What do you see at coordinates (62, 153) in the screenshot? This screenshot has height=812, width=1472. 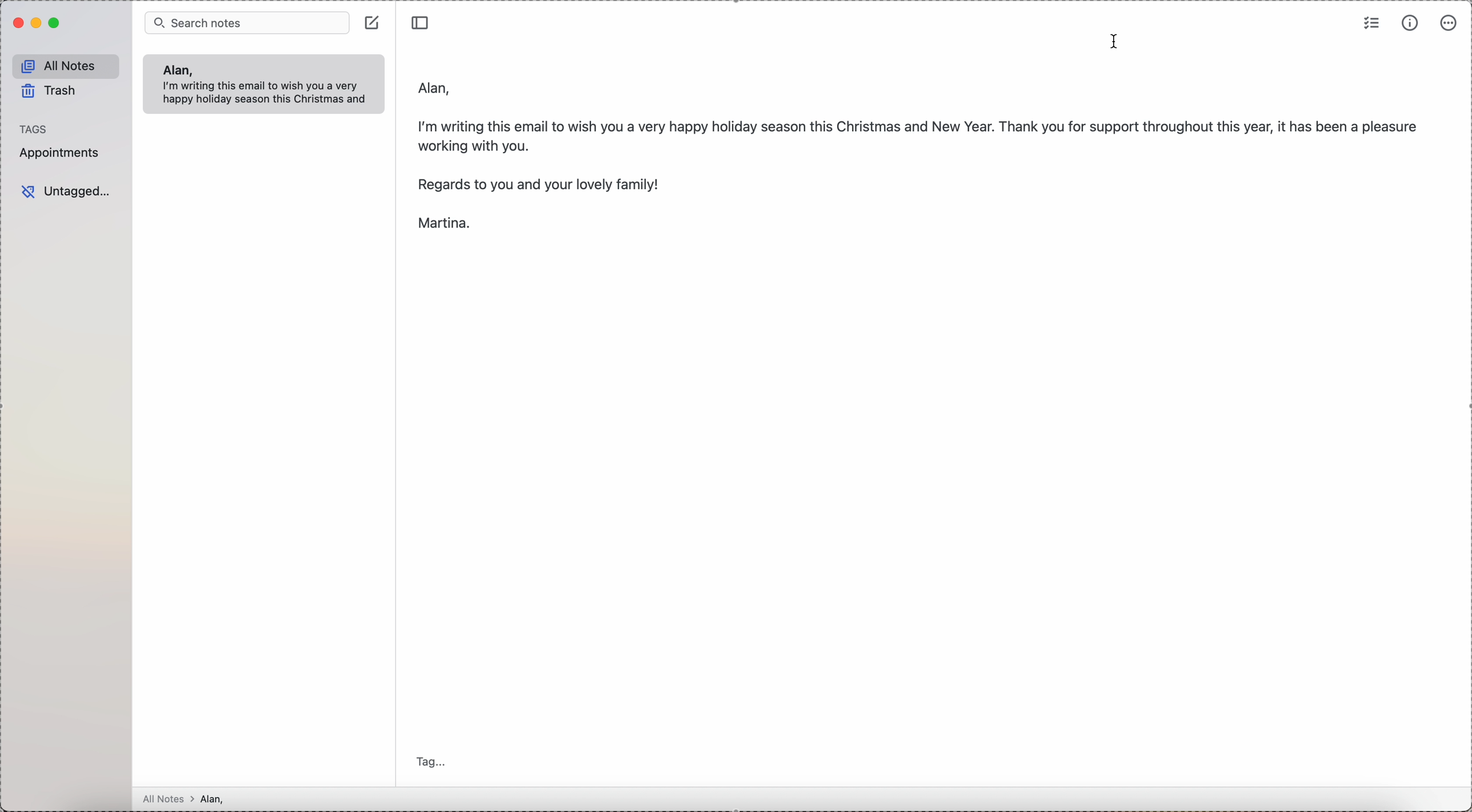 I see `appointments` at bounding box center [62, 153].